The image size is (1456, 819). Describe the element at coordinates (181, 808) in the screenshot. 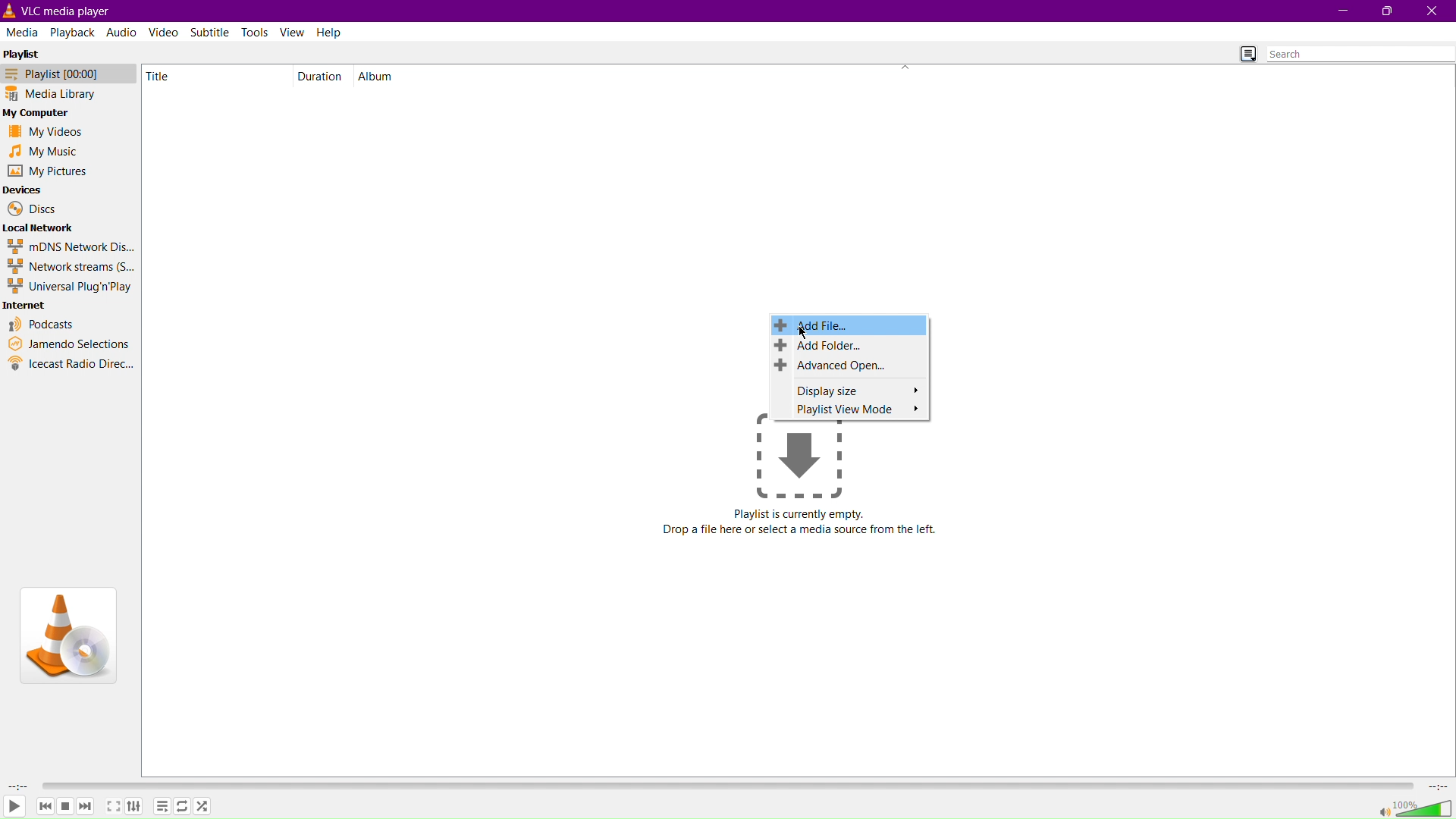

I see `Loop` at that location.